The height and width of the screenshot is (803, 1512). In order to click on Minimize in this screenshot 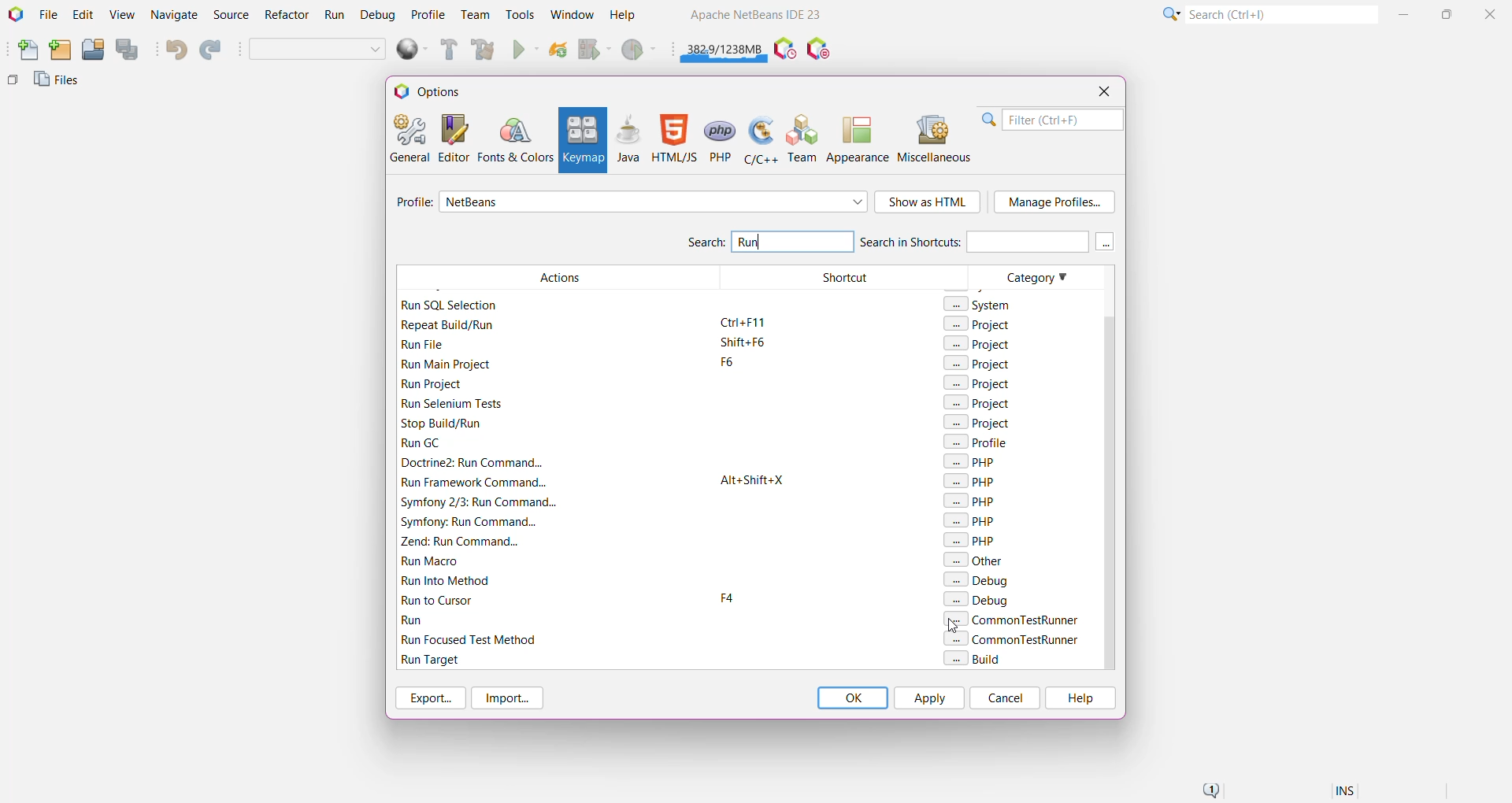, I will do `click(1406, 14)`.